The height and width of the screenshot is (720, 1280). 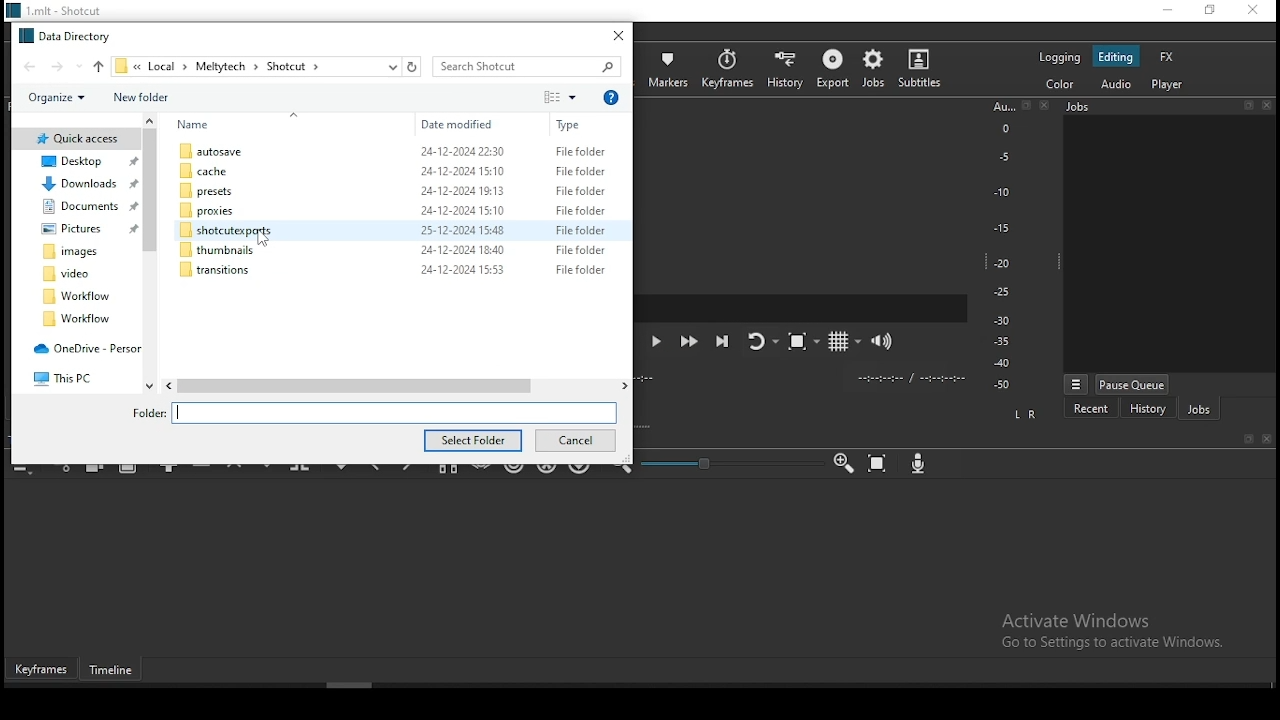 What do you see at coordinates (63, 10) in the screenshot?
I see `1.mlt Shortcut` at bounding box center [63, 10].